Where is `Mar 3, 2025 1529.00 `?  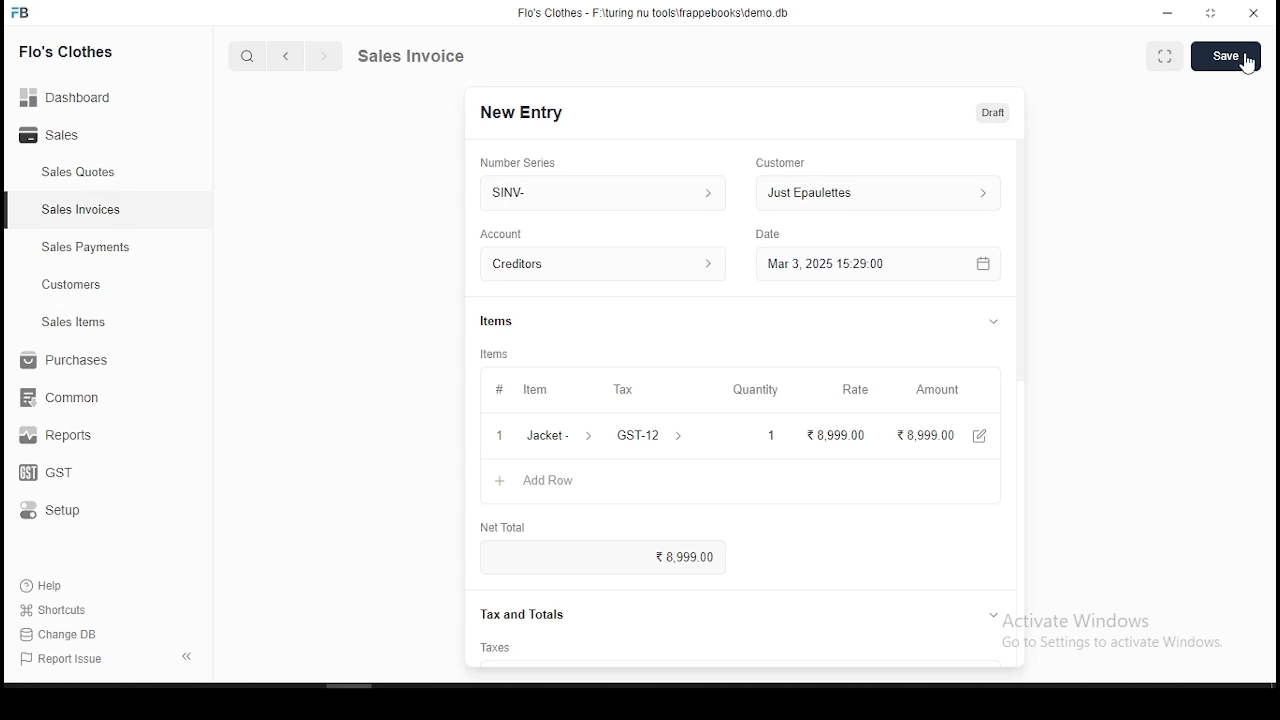
Mar 3, 2025 1529.00  is located at coordinates (857, 266).